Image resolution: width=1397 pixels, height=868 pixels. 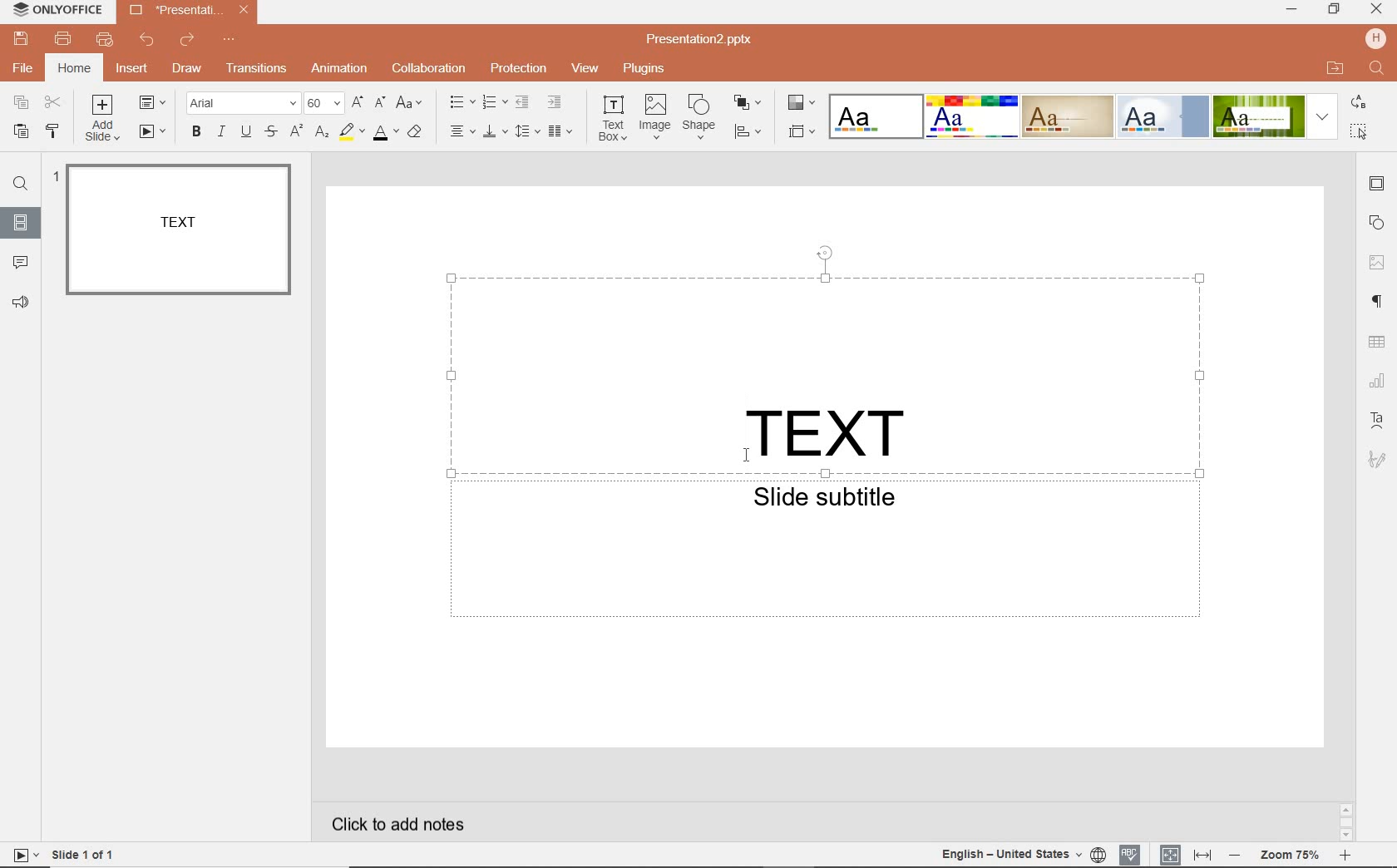 I want to click on SUPERSCRIPT, so click(x=297, y=132).